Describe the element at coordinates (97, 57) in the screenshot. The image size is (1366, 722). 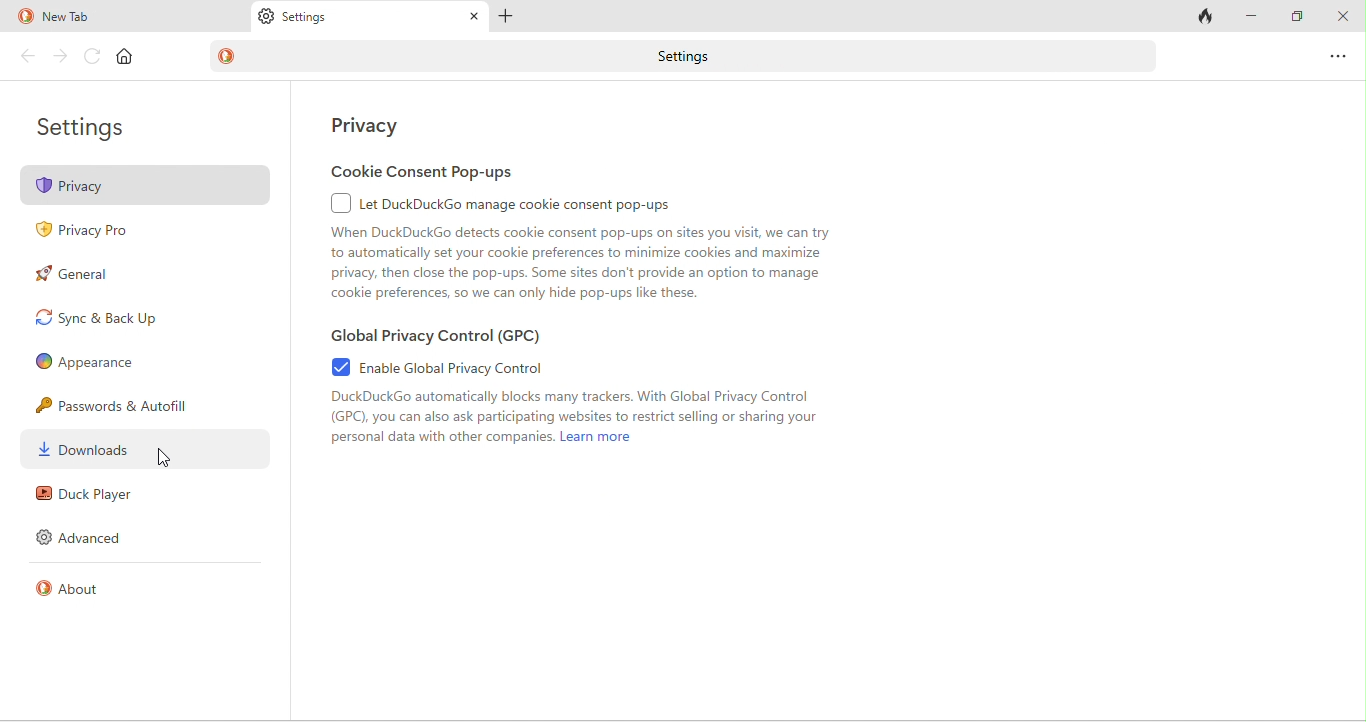
I see `reload` at that location.